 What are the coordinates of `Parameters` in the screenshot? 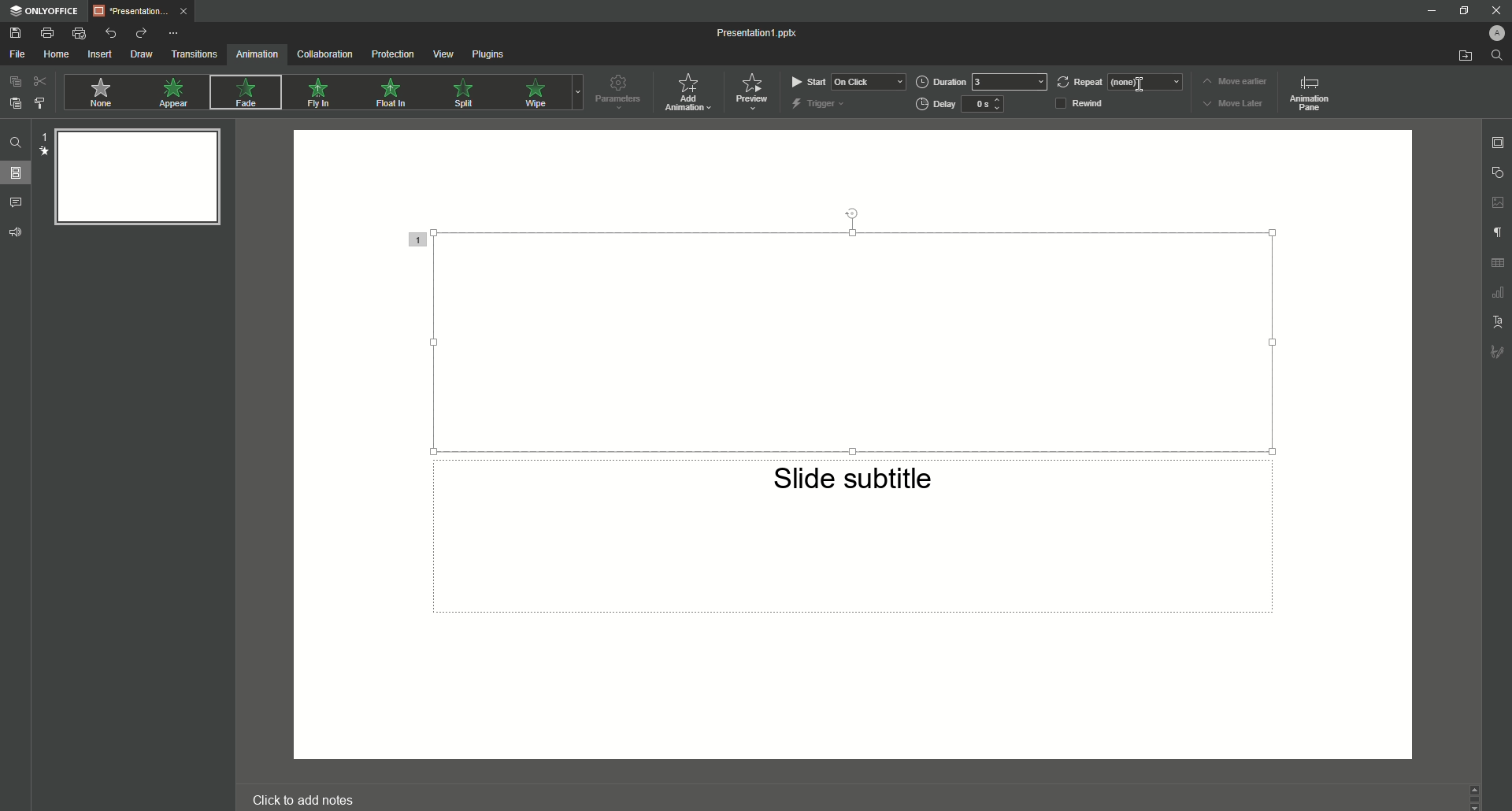 It's located at (617, 91).